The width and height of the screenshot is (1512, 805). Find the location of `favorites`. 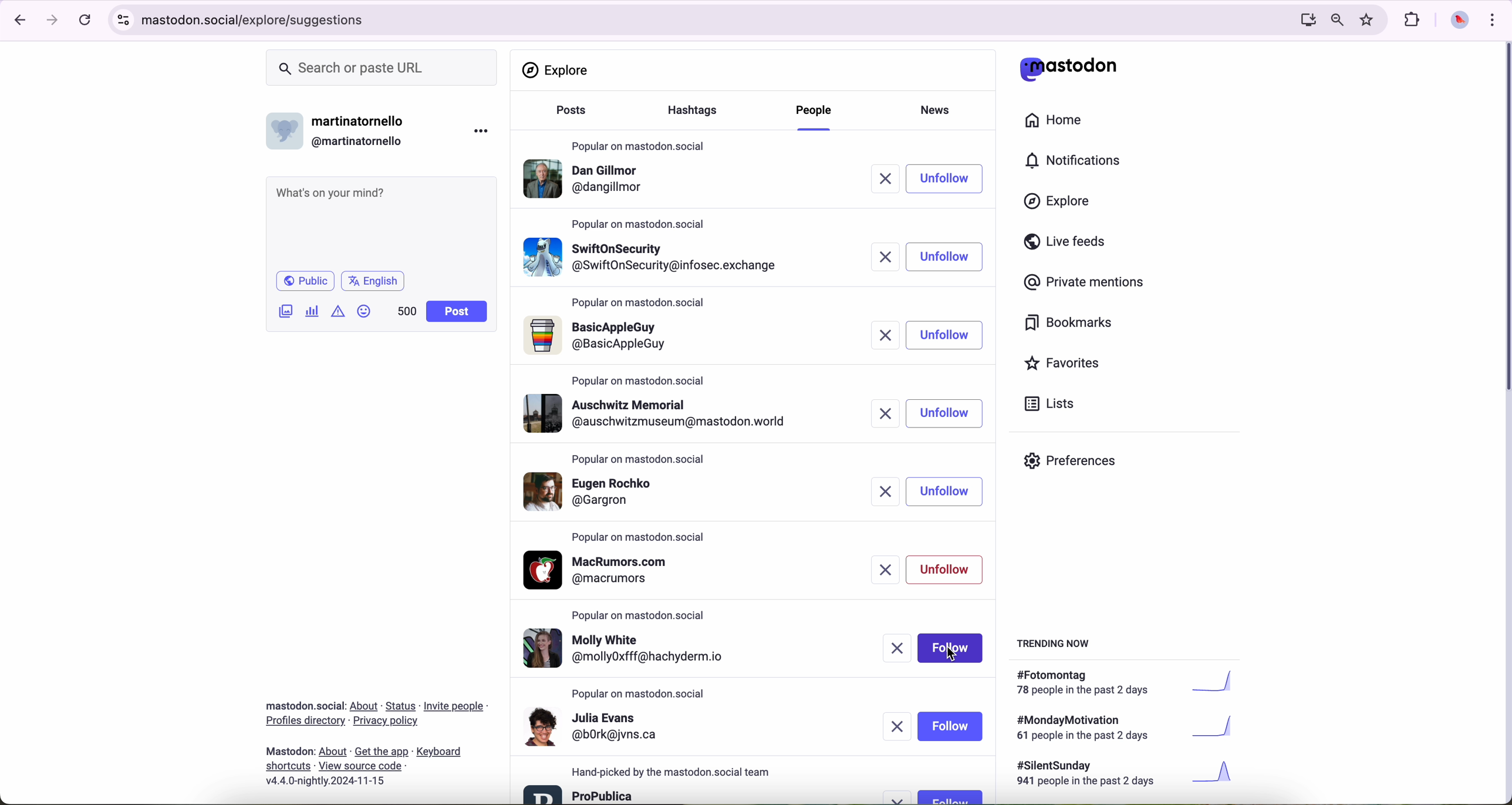

favorites is located at coordinates (1067, 365).